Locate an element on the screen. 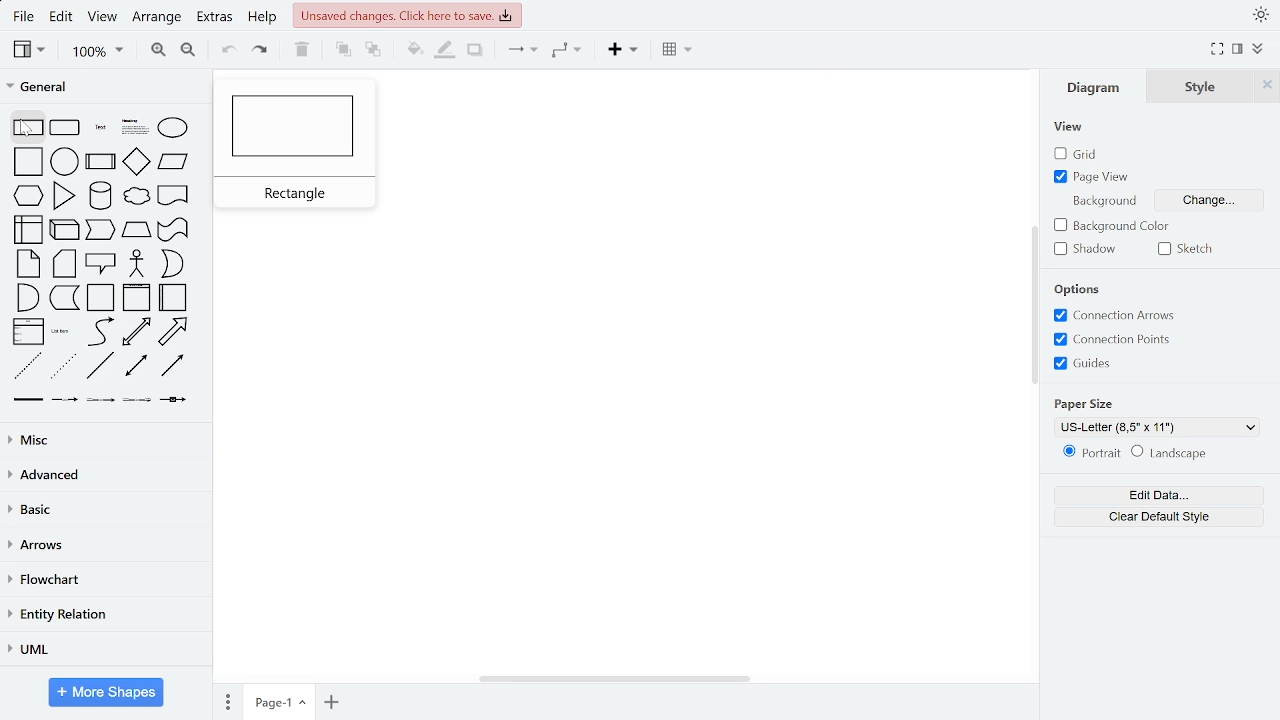 The image size is (1280, 720). view is located at coordinates (102, 19).